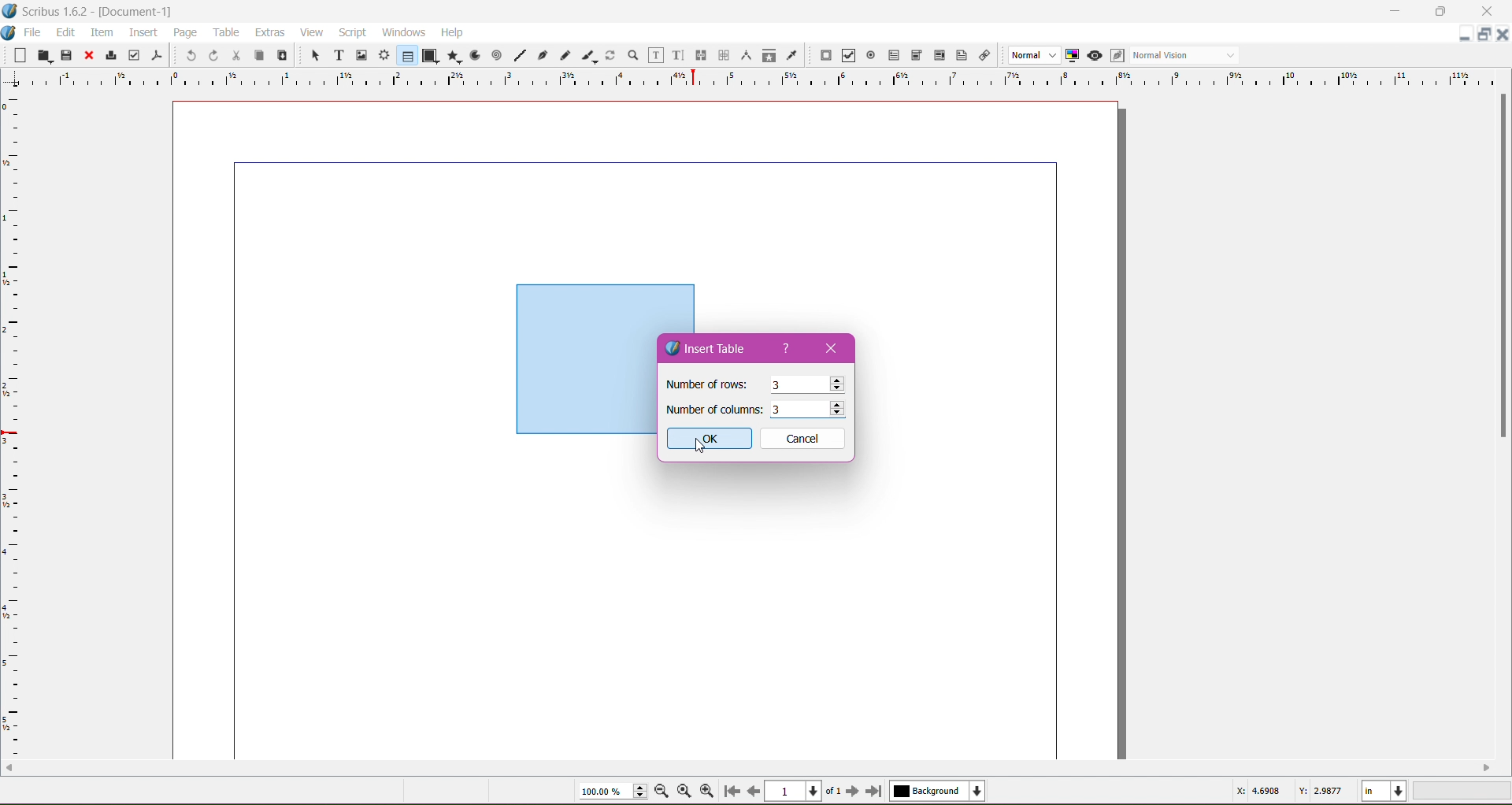  Describe the element at coordinates (678, 55) in the screenshot. I see `Edit Text with Story` at that location.